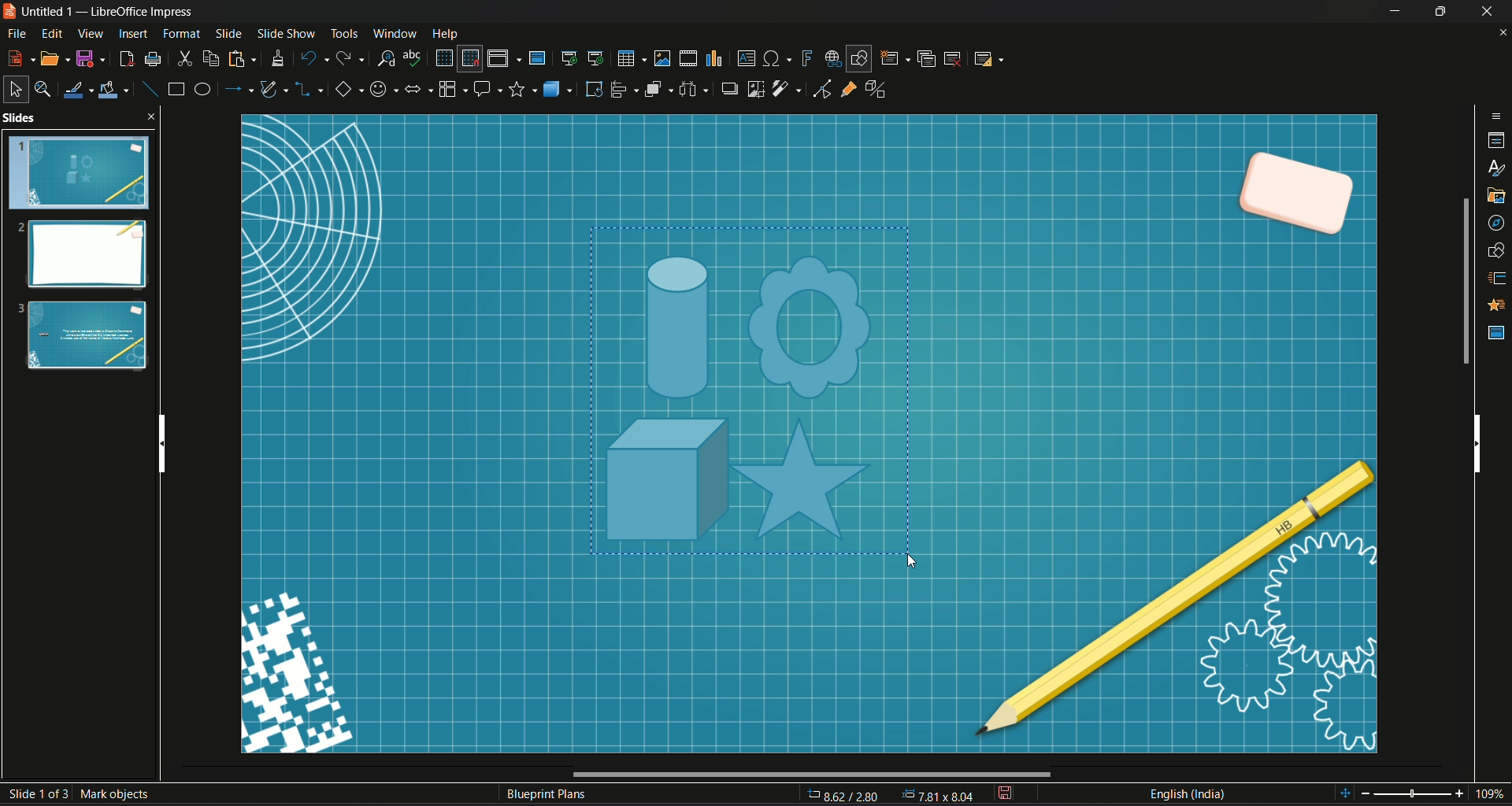 The image size is (1512, 806). I want to click on slide, so click(229, 32).